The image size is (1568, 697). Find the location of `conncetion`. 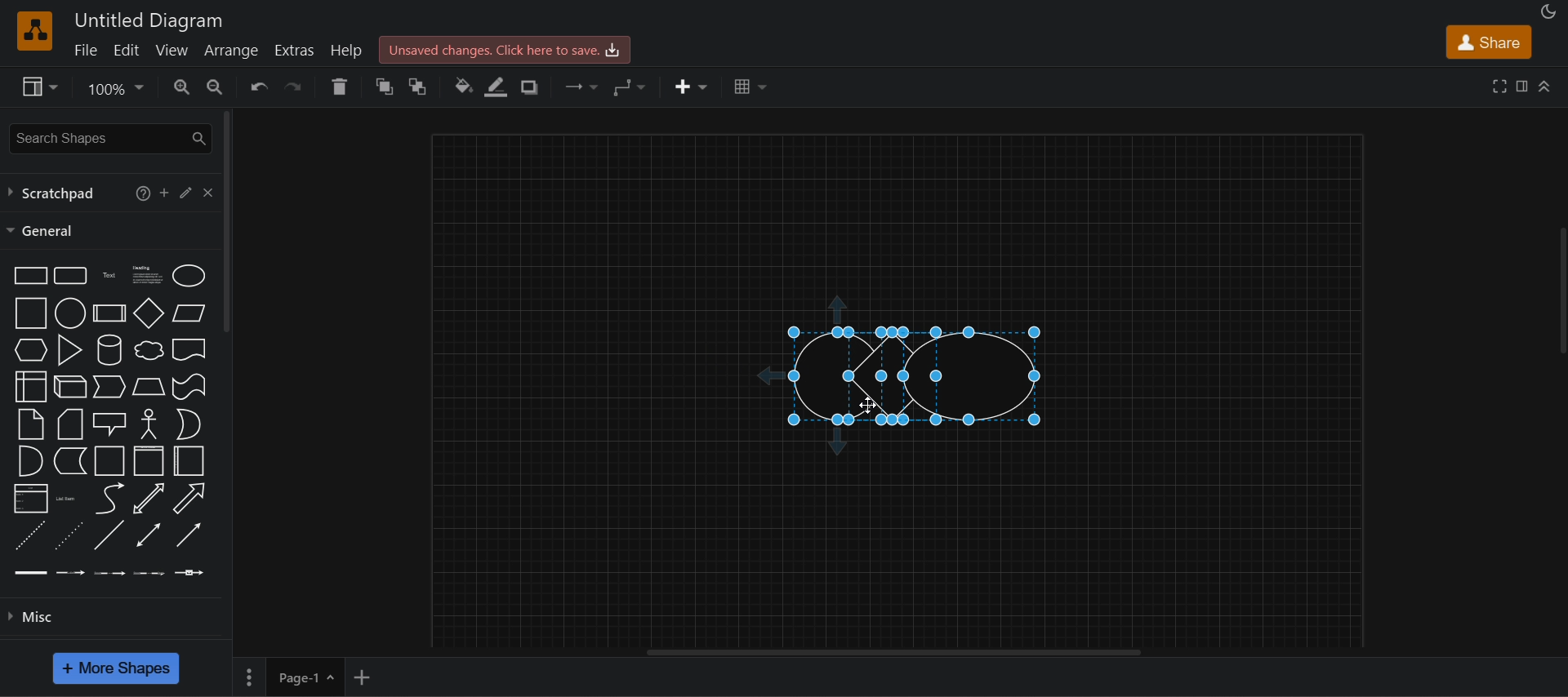

conncetion is located at coordinates (578, 85).